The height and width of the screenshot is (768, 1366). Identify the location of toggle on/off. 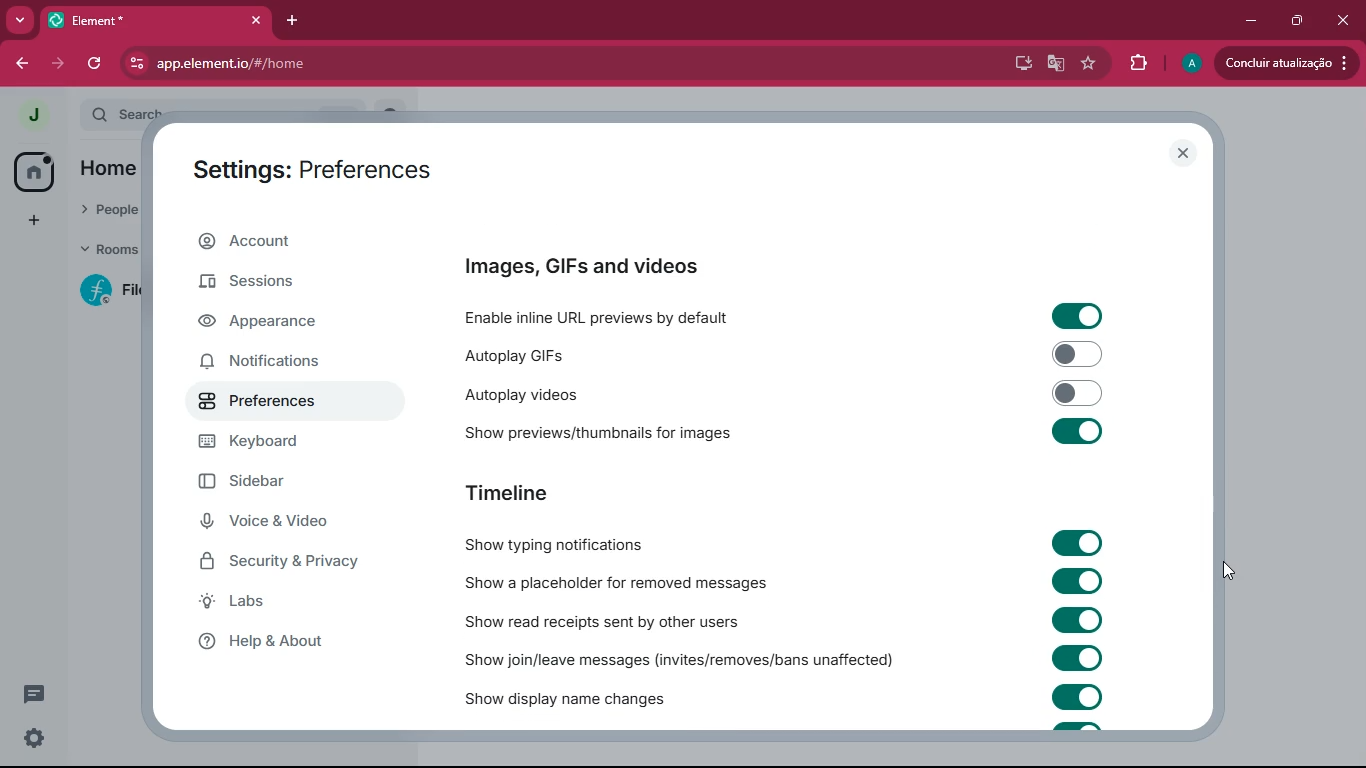
(1078, 620).